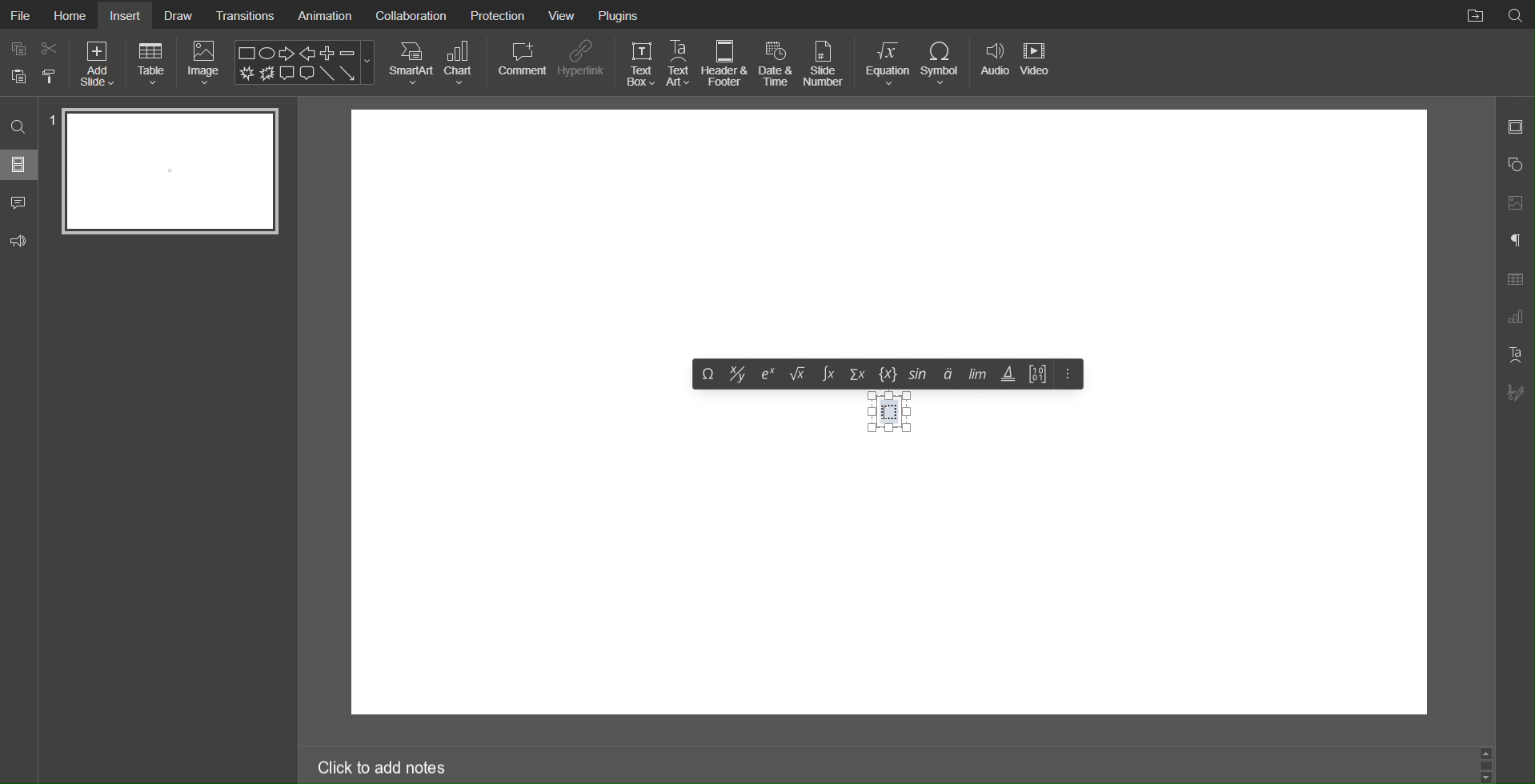 The height and width of the screenshot is (784, 1535). What do you see at coordinates (520, 62) in the screenshot?
I see `Comment` at bounding box center [520, 62].